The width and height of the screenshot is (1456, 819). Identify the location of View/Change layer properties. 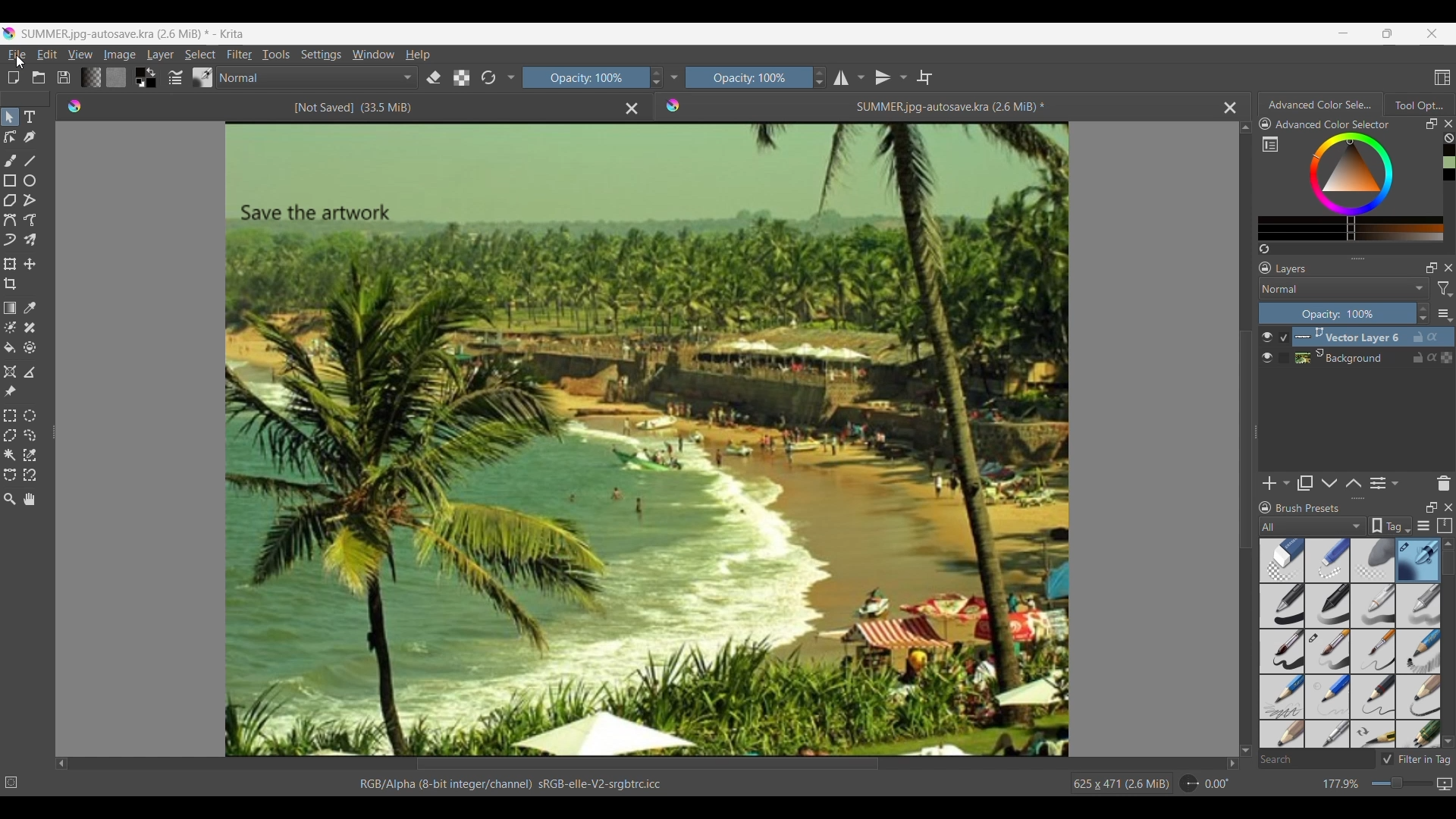
(1384, 483).